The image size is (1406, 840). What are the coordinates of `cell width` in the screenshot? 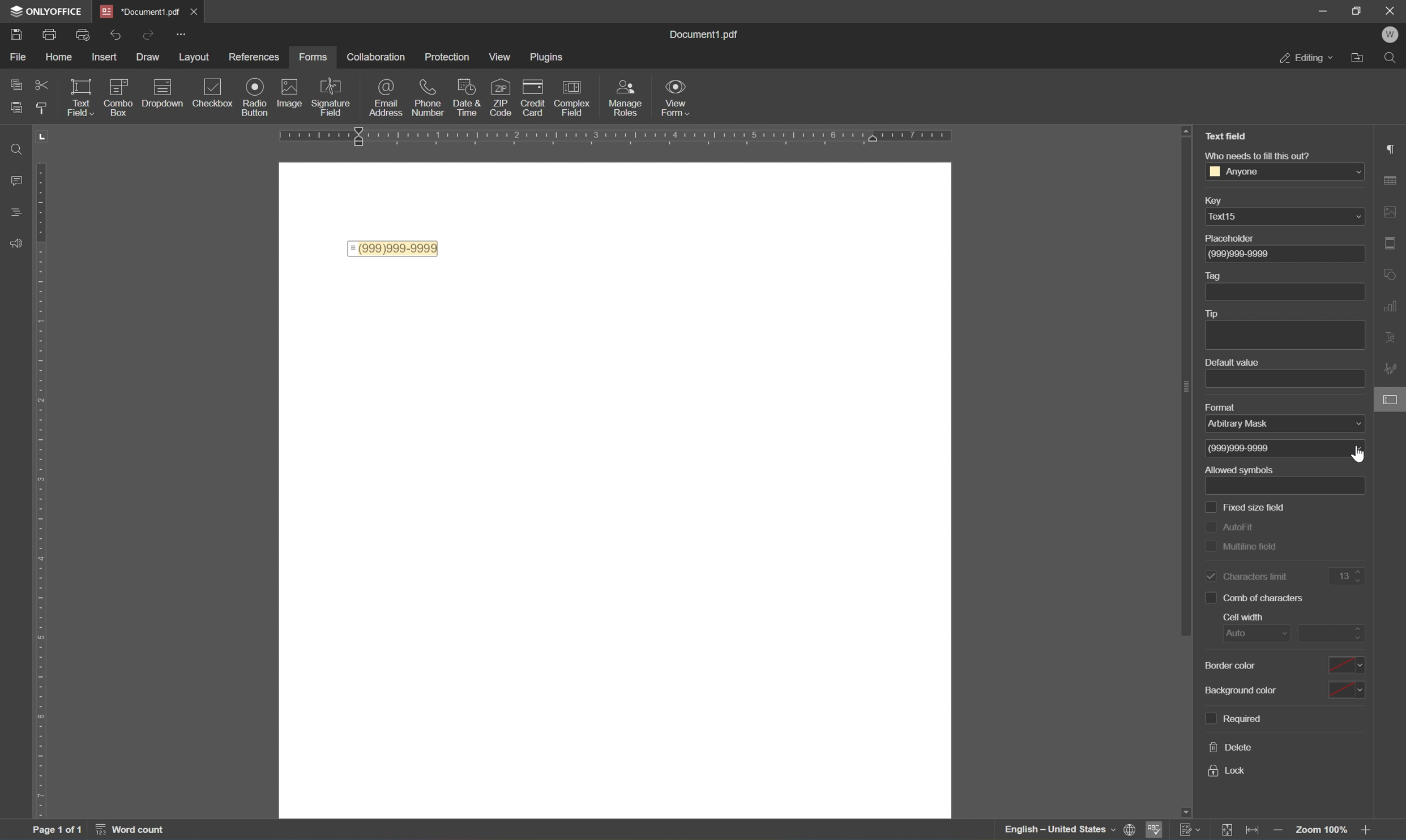 It's located at (1240, 618).